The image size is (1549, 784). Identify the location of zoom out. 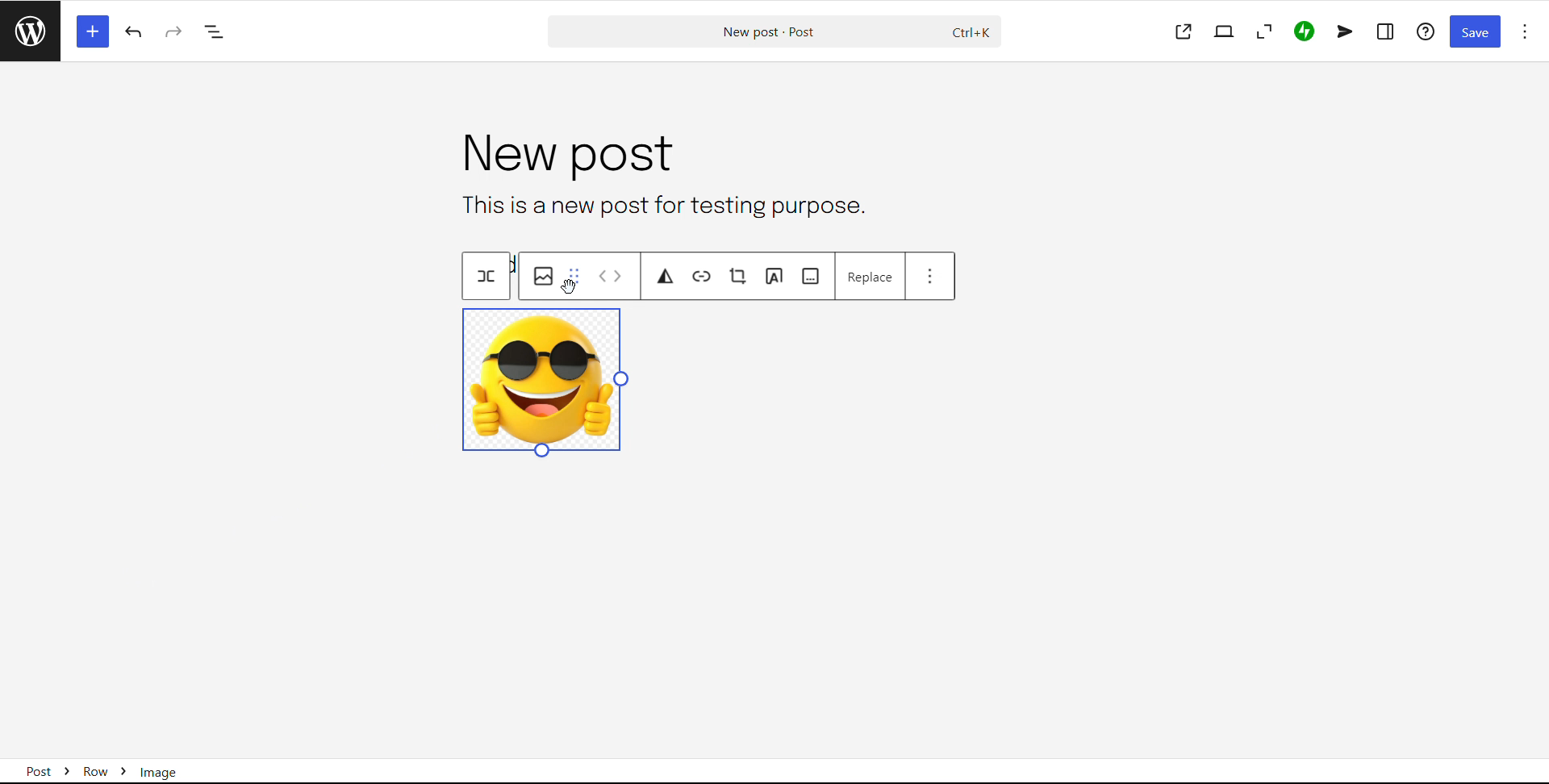
(1263, 31).